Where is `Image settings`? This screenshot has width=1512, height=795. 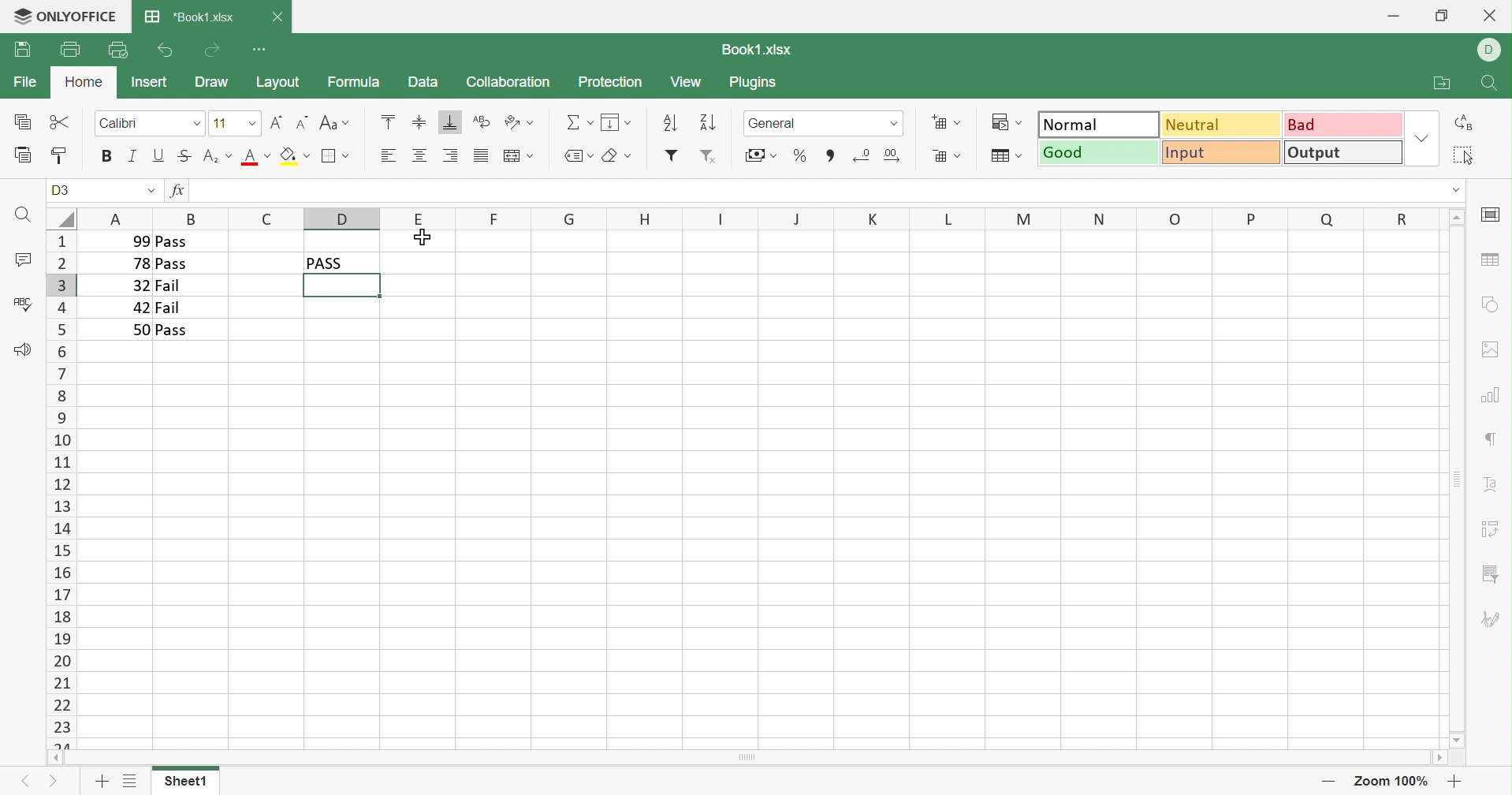 Image settings is located at coordinates (1493, 348).